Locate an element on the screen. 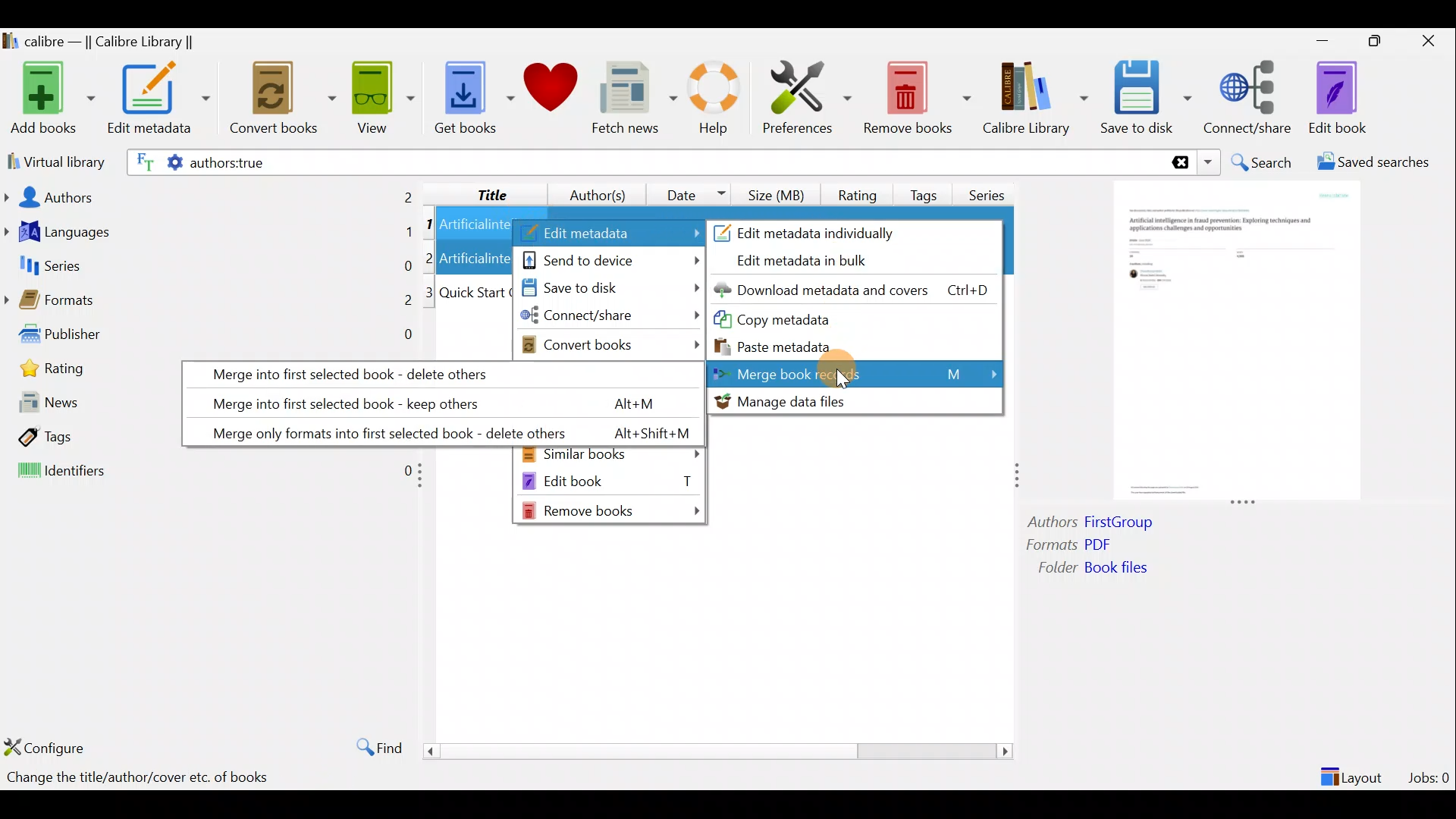  Save to disk is located at coordinates (1146, 98).